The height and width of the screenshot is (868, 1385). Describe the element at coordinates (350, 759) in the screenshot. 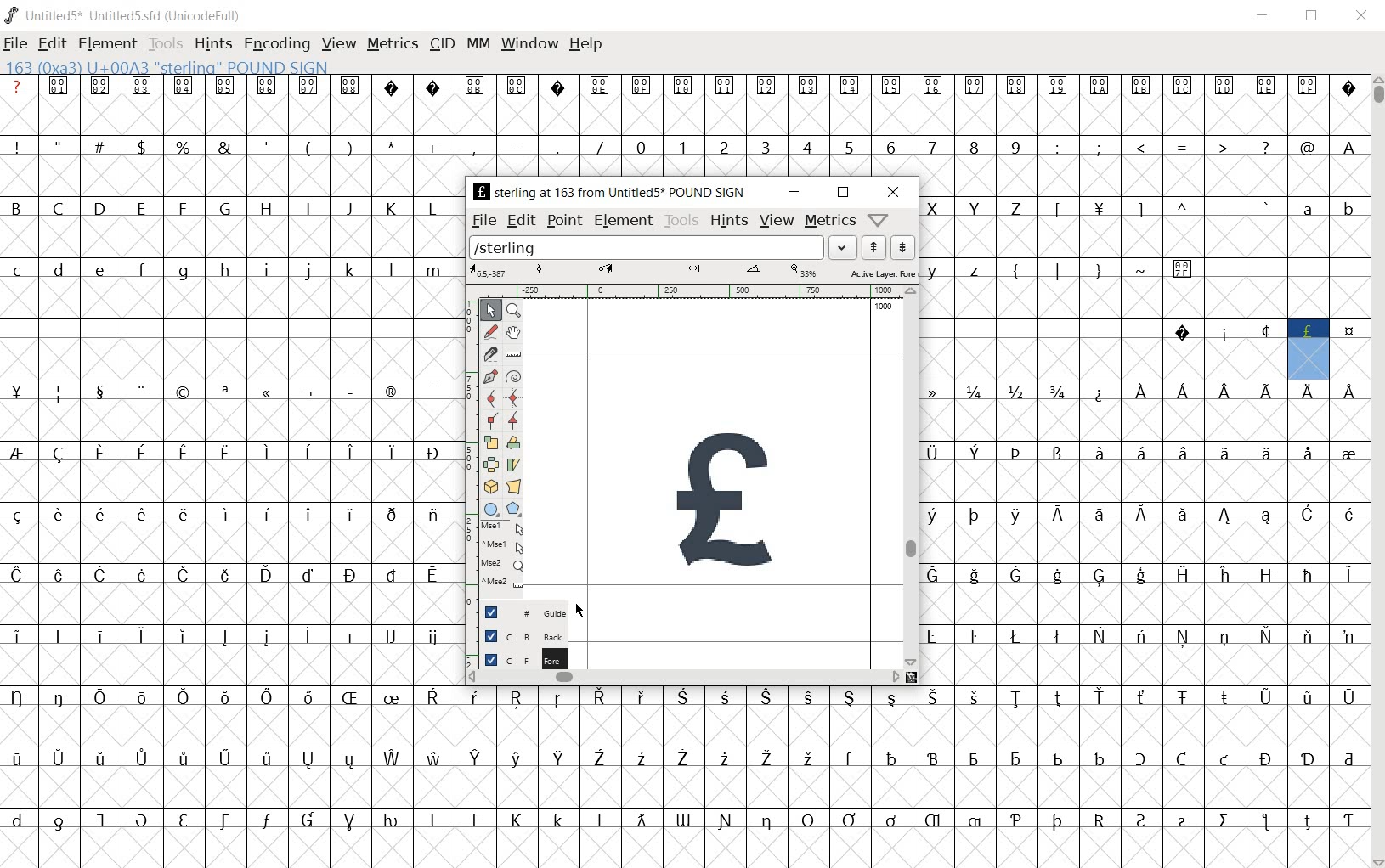

I see `Symbol` at that location.